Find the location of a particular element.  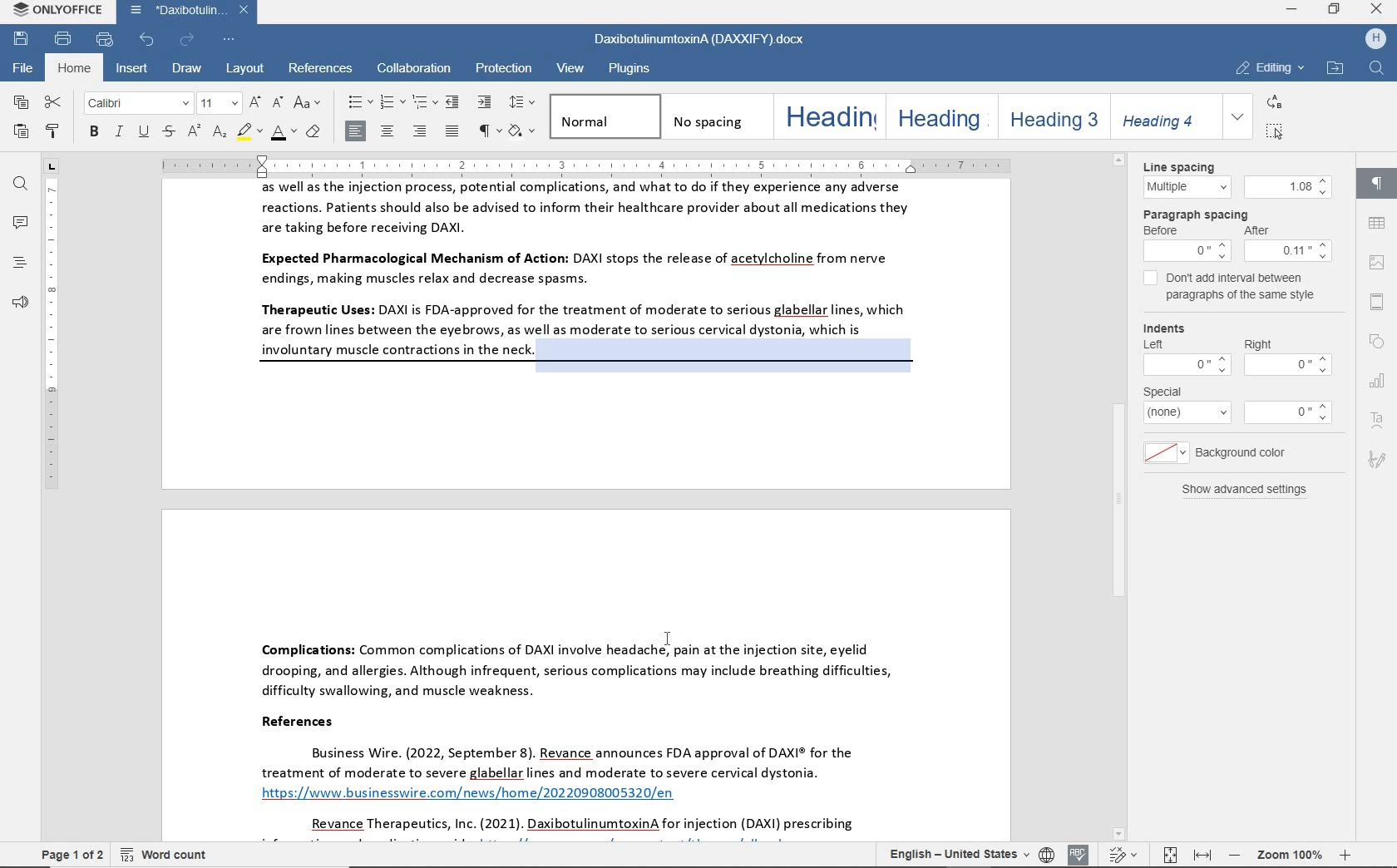

paragraph settings is located at coordinates (1375, 180).